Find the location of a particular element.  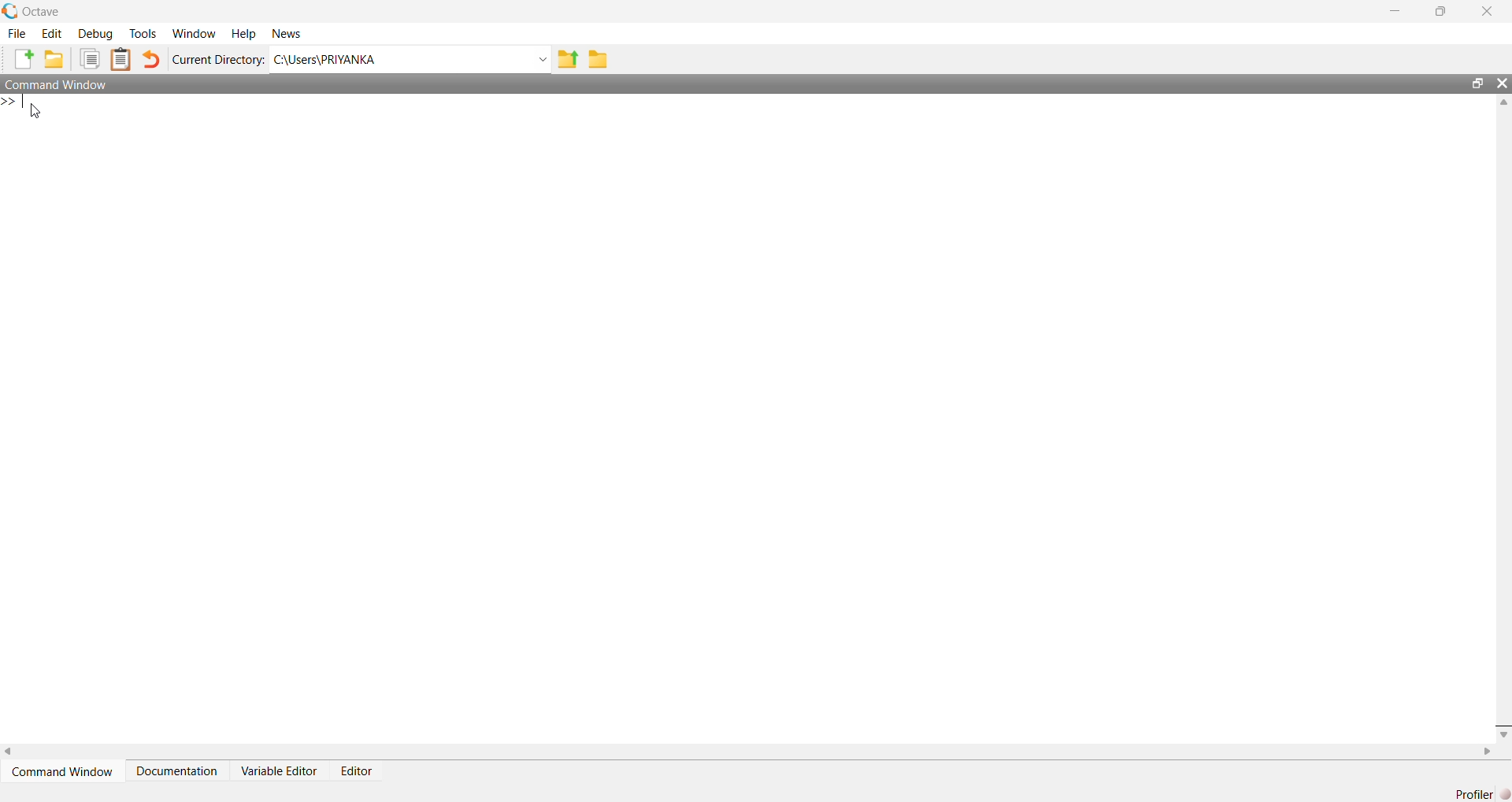

close is located at coordinates (1490, 10).